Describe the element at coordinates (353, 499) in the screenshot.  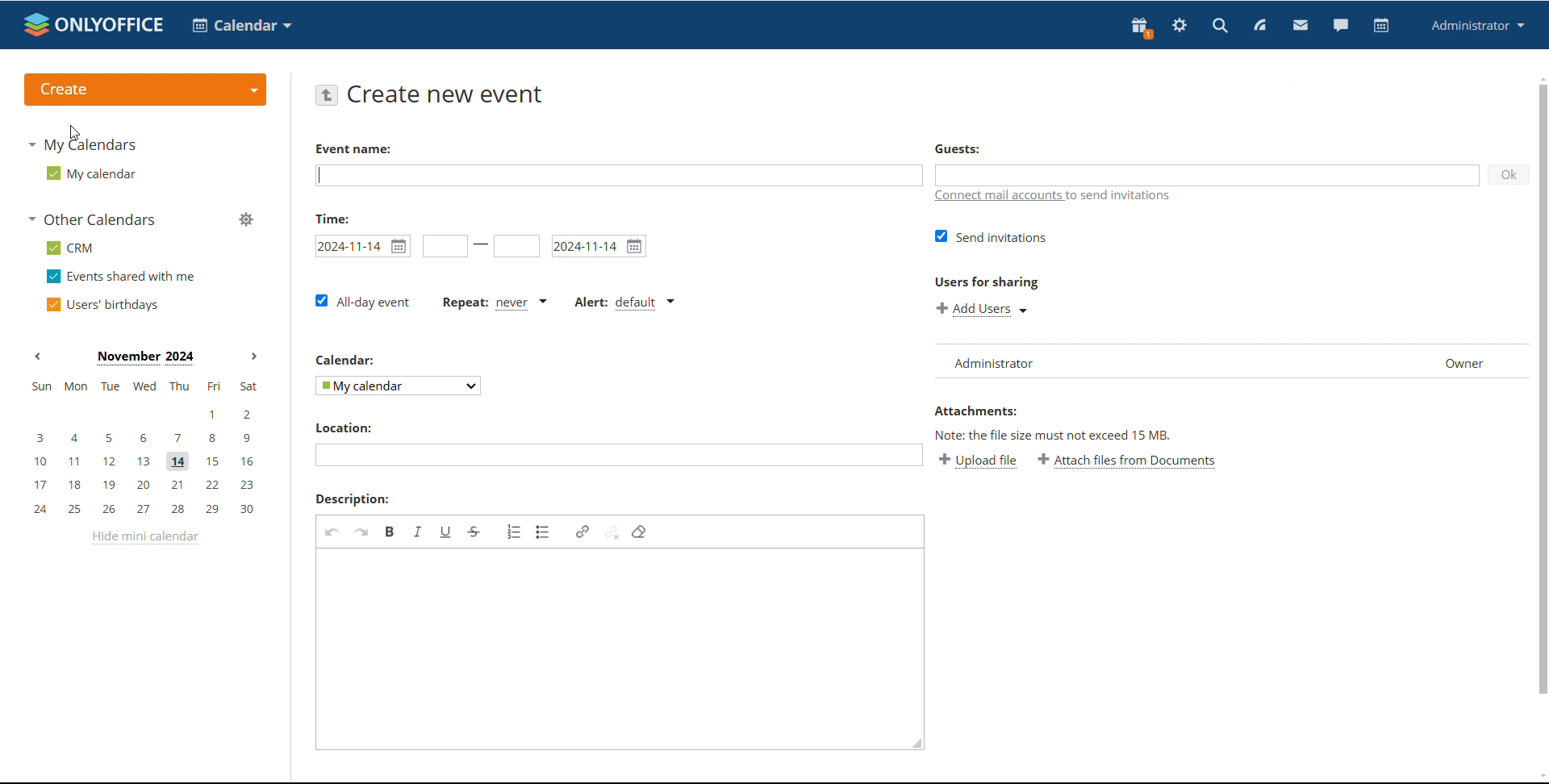
I see `description` at that location.